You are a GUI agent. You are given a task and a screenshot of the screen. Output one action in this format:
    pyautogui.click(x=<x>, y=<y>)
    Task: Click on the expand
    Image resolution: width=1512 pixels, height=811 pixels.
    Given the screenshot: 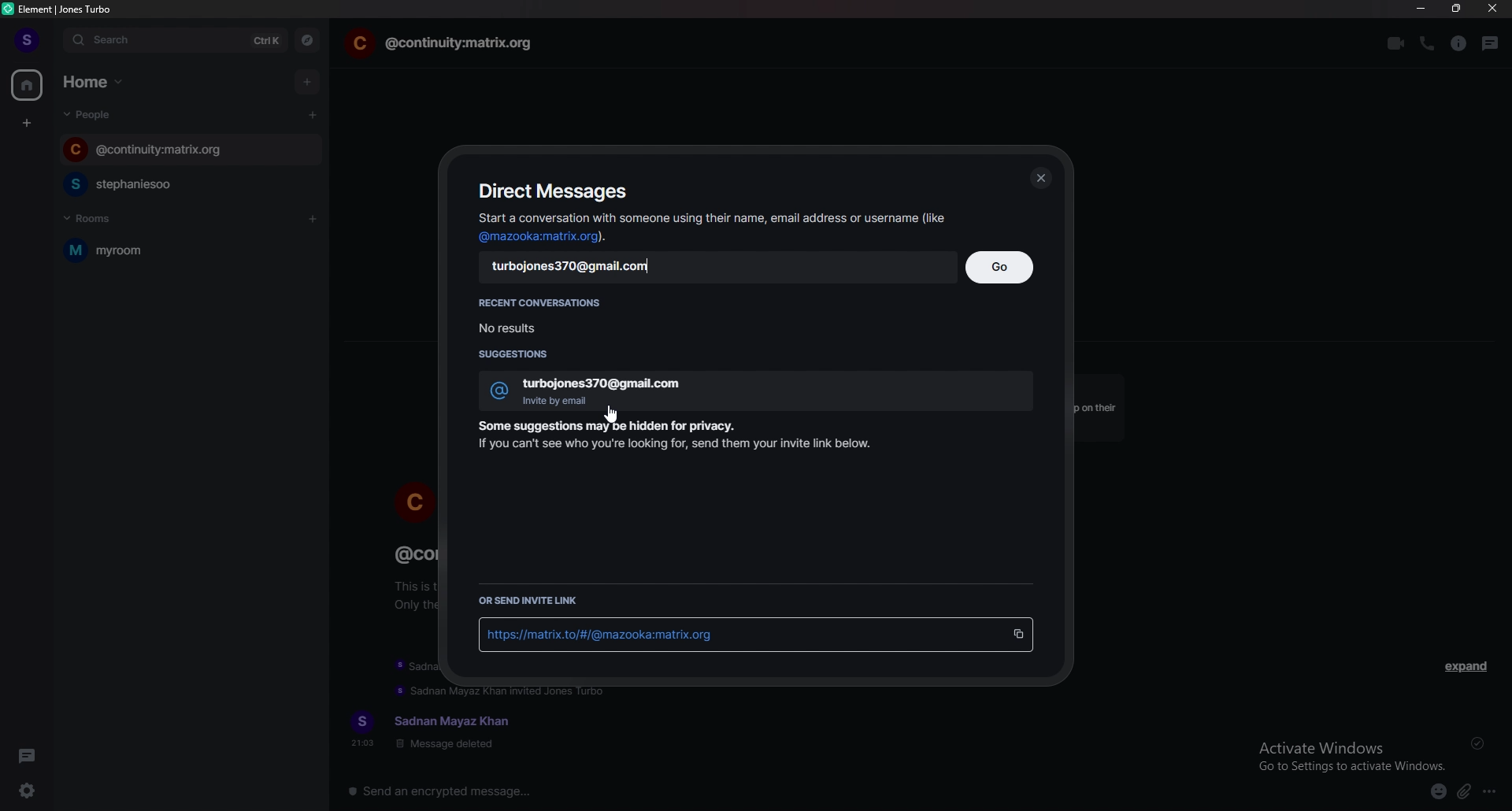 What is the action you would take?
    pyautogui.click(x=1465, y=666)
    